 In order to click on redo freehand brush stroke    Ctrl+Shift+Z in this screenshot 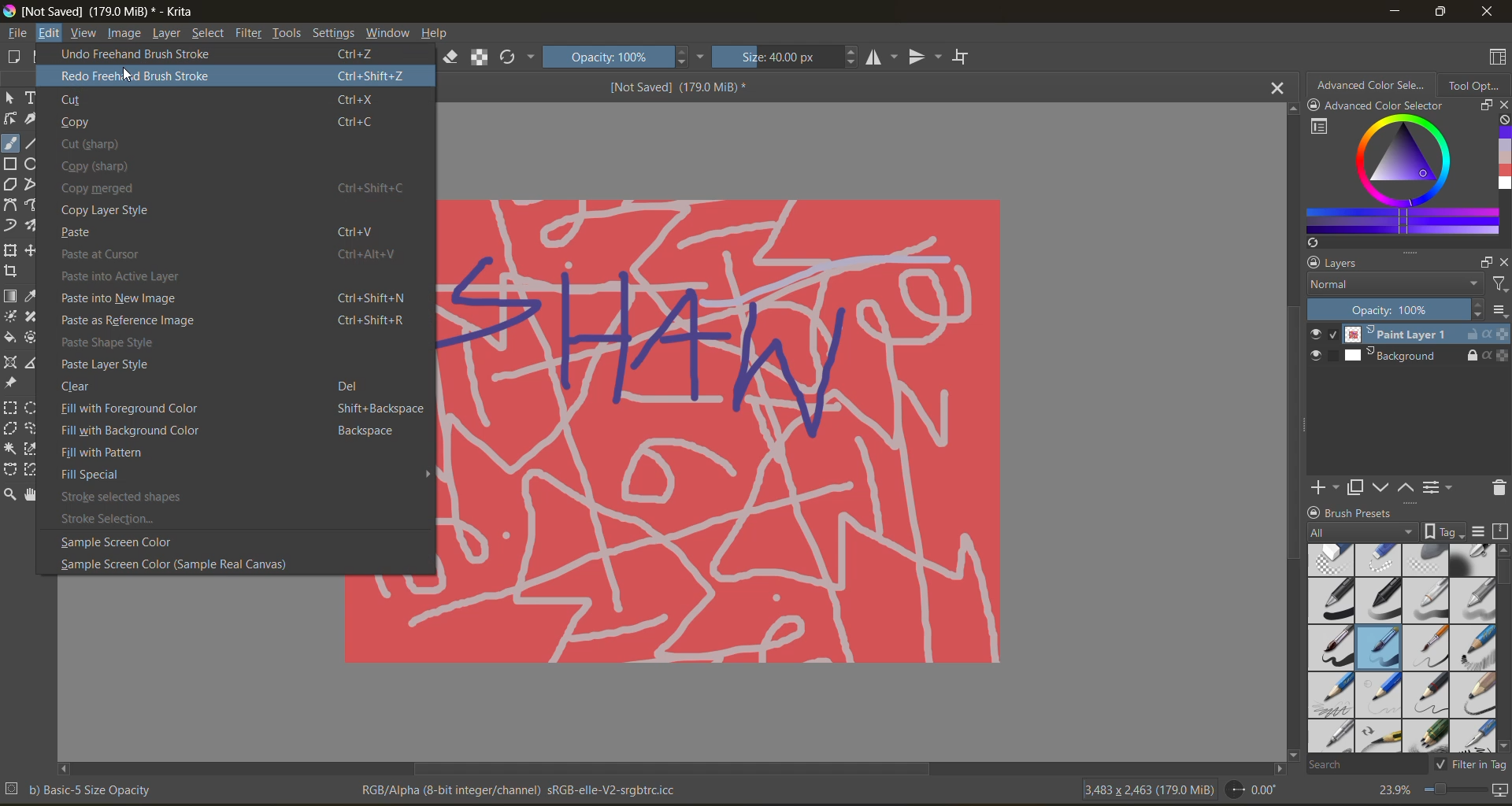, I will do `click(233, 75)`.